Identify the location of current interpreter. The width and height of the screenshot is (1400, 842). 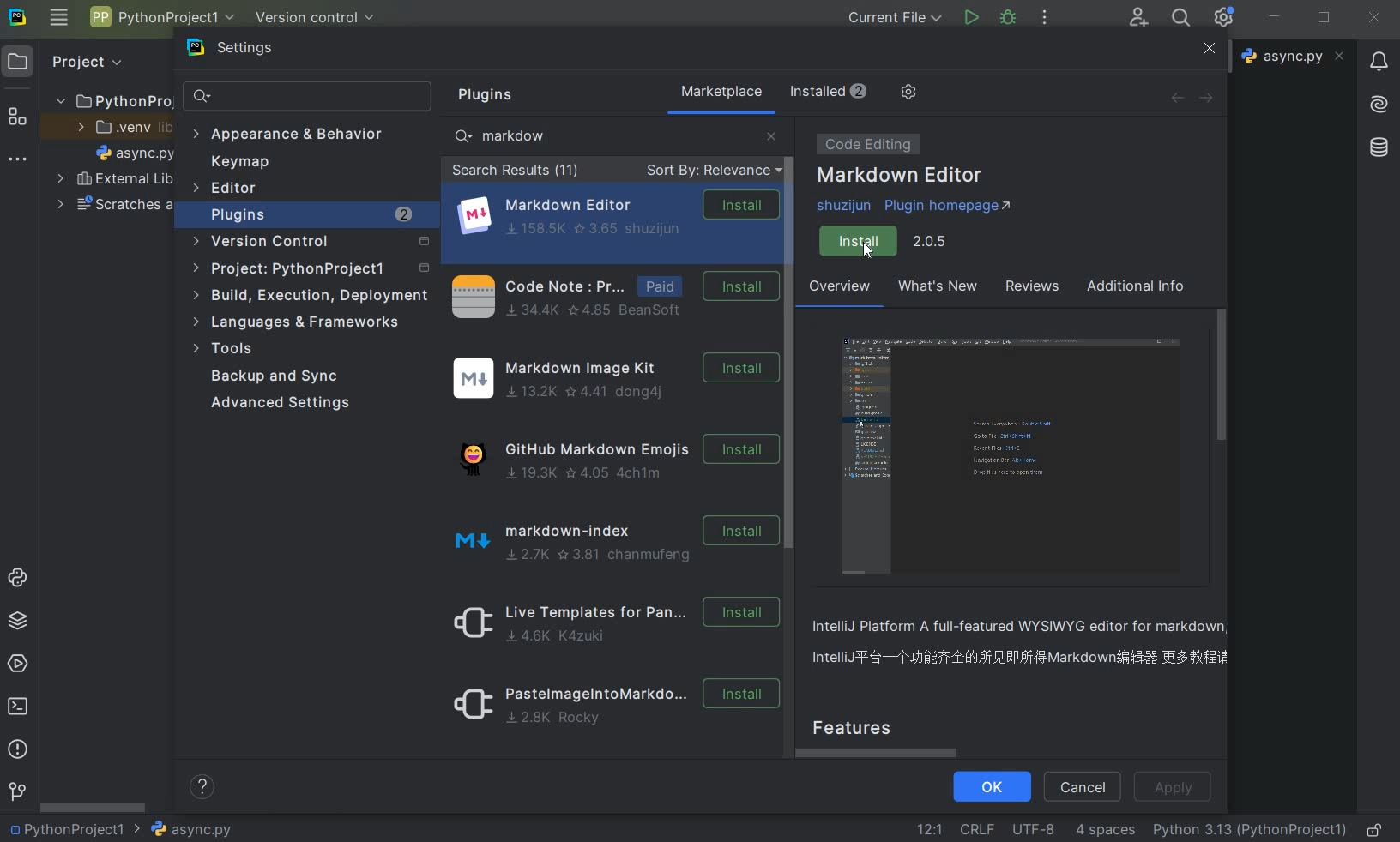
(1250, 831).